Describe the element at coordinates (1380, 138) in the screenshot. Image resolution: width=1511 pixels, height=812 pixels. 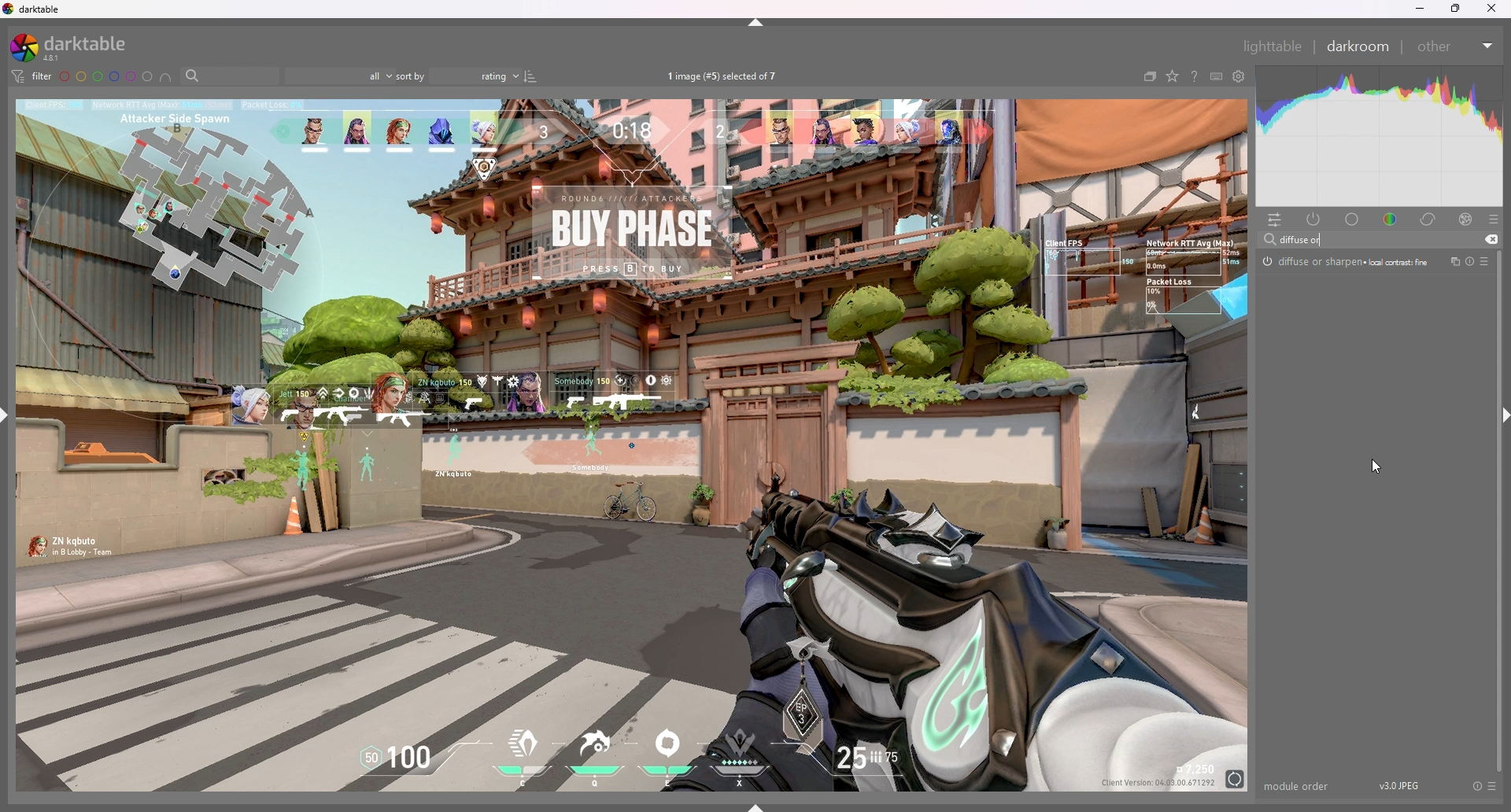
I see `heat graph` at that location.